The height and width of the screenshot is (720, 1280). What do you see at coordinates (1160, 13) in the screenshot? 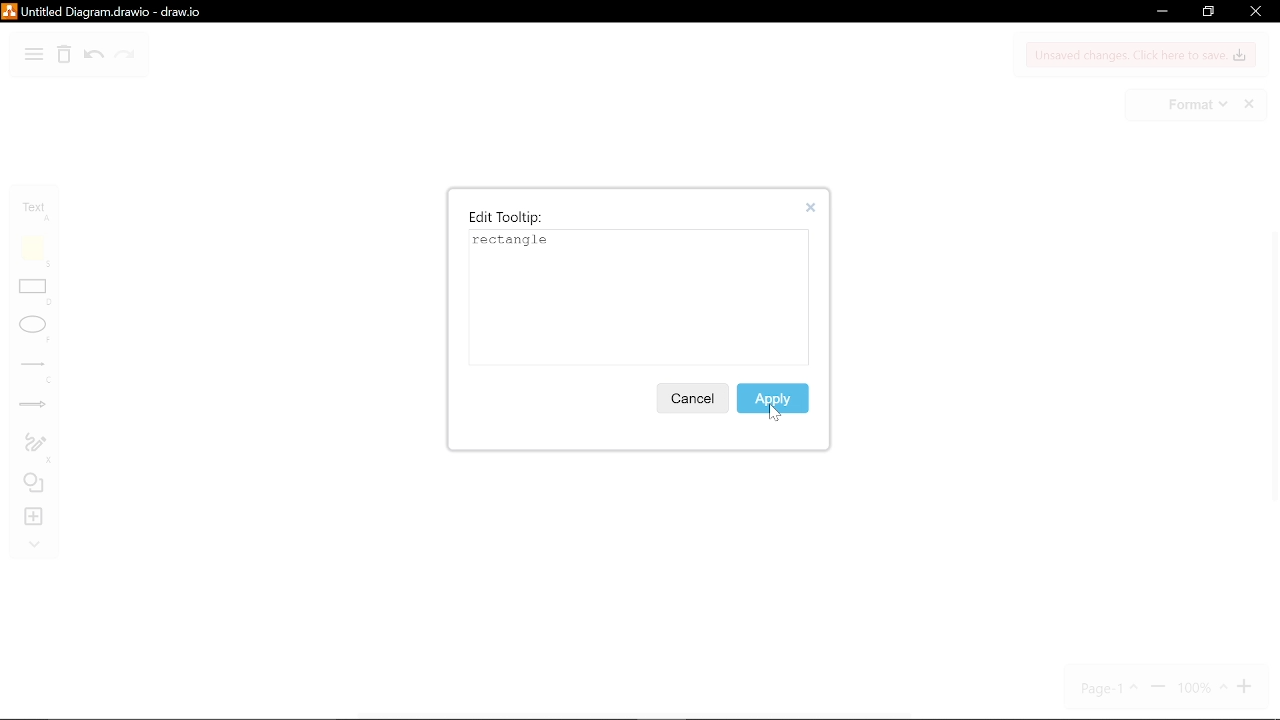
I see `minimize` at bounding box center [1160, 13].